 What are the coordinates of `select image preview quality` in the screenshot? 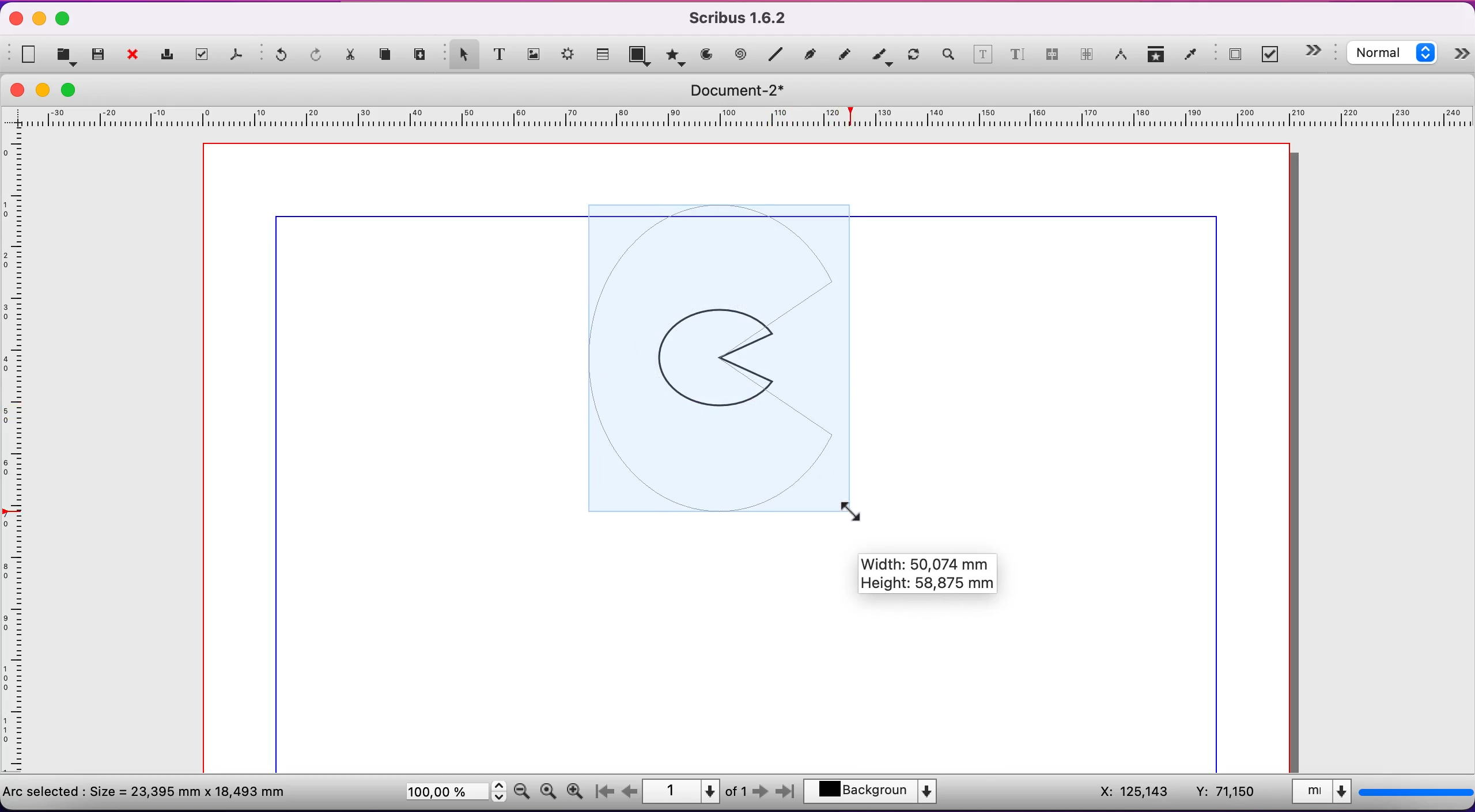 It's located at (1395, 55).